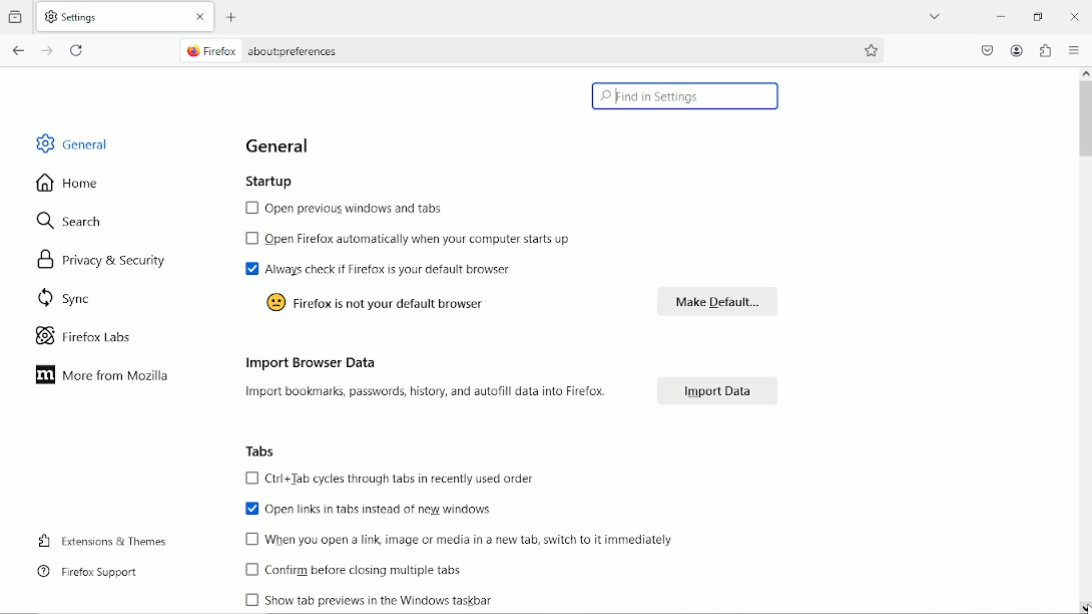 Image resolution: width=1092 pixels, height=614 pixels. I want to click on import browser data, so click(311, 362).